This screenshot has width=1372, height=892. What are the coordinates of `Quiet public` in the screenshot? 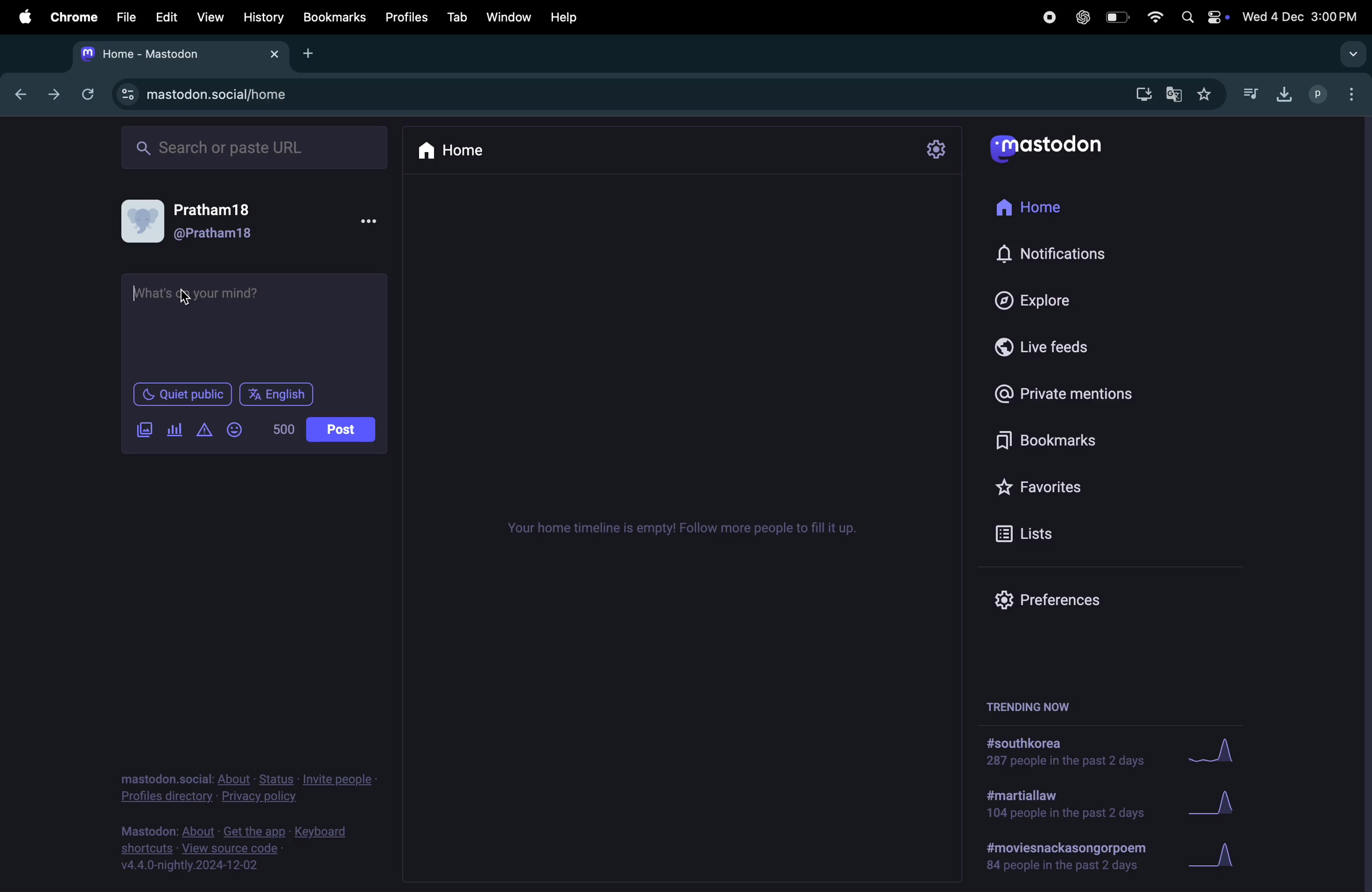 It's located at (180, 394).